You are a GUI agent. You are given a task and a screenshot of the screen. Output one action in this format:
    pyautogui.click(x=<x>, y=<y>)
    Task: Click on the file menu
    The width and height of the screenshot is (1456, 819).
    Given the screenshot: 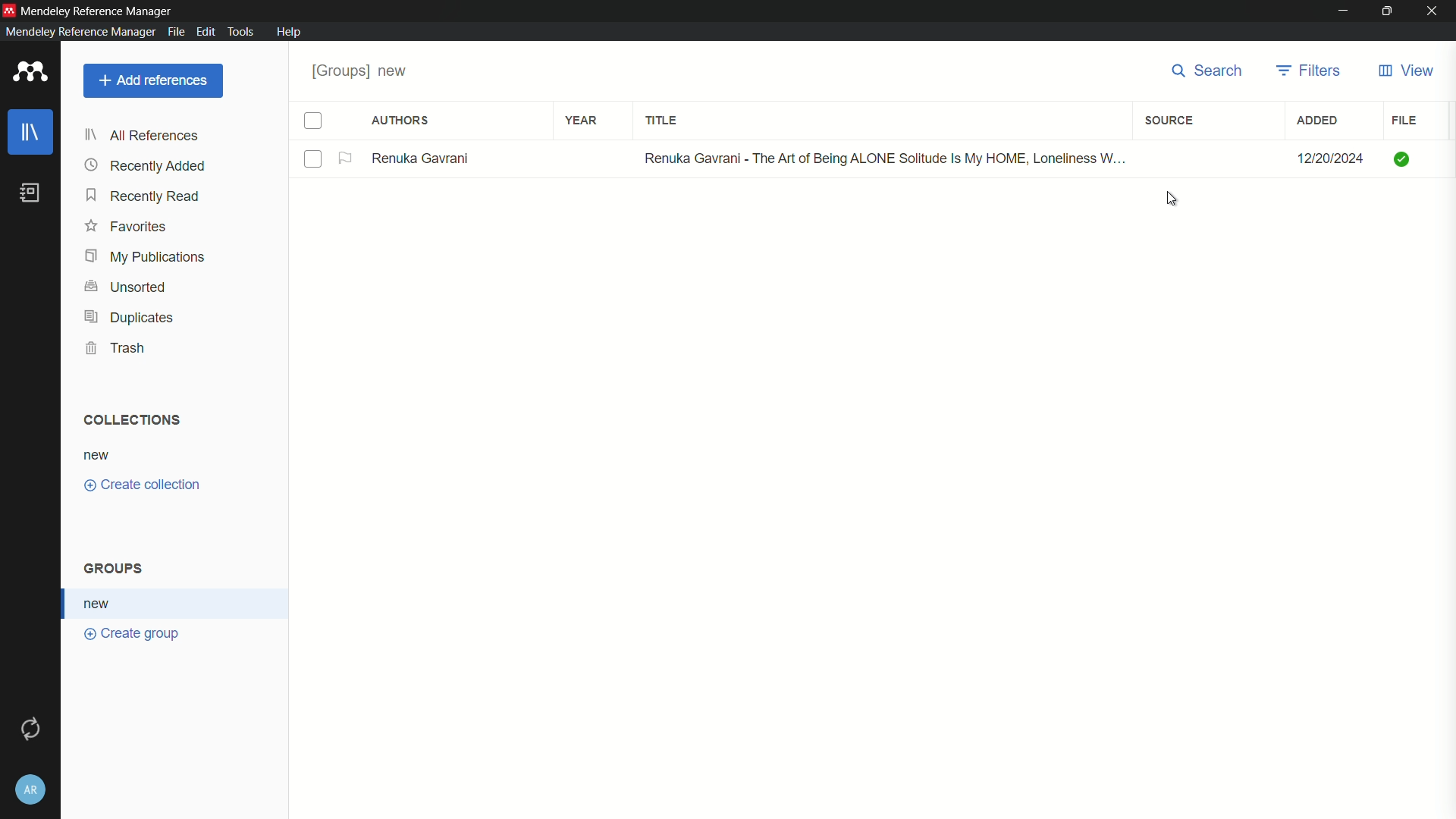 What is the action you would take?
    pyautogui.click(x=176, y=32)
    